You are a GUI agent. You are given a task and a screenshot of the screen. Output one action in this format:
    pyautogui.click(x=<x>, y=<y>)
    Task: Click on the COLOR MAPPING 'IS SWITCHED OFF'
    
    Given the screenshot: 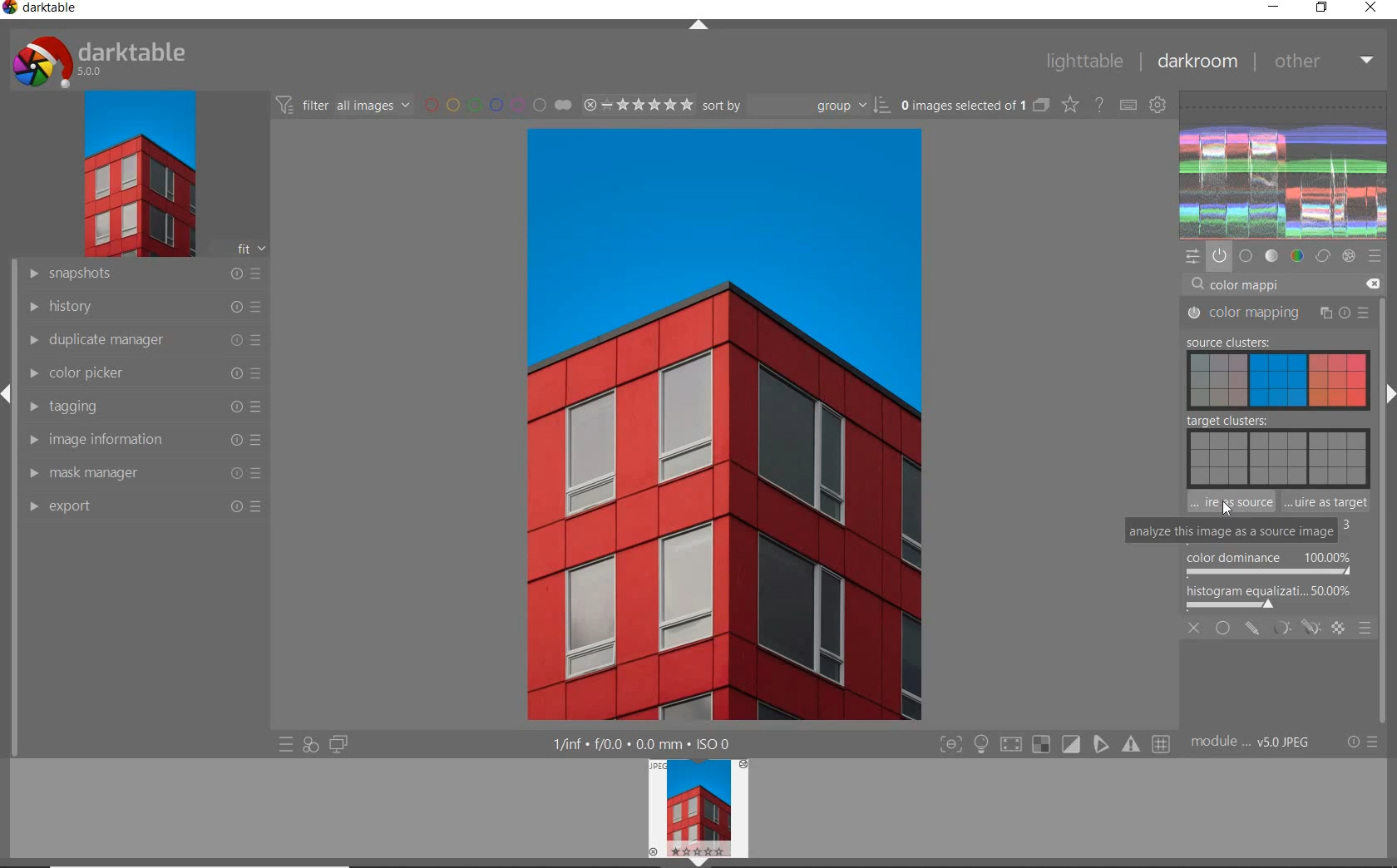 What is the action you would take?
    pyautogui.click(x=1193, y=343)
    